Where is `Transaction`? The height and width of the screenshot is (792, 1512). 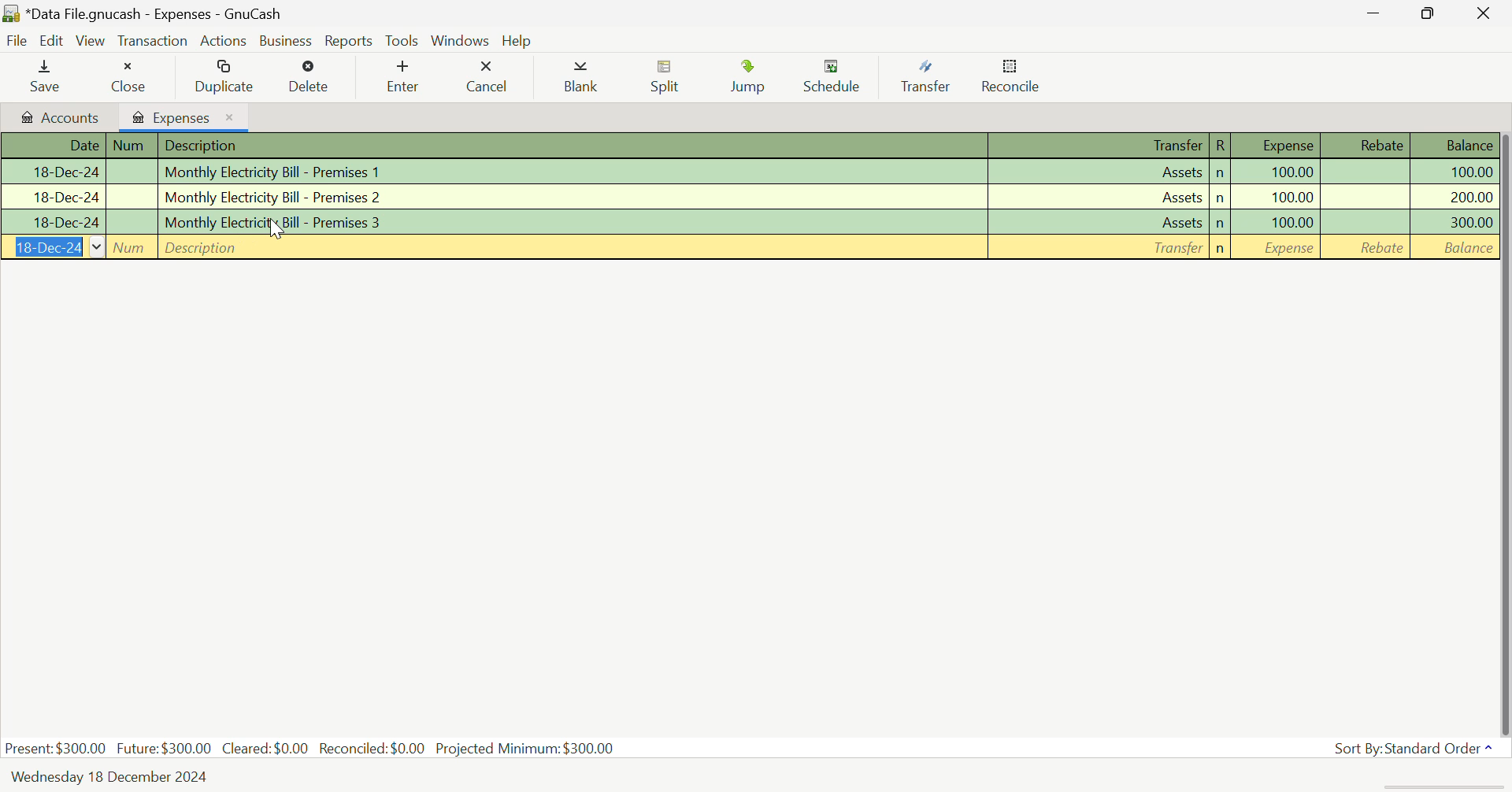 Transaction is located at coordinates (153, 41).